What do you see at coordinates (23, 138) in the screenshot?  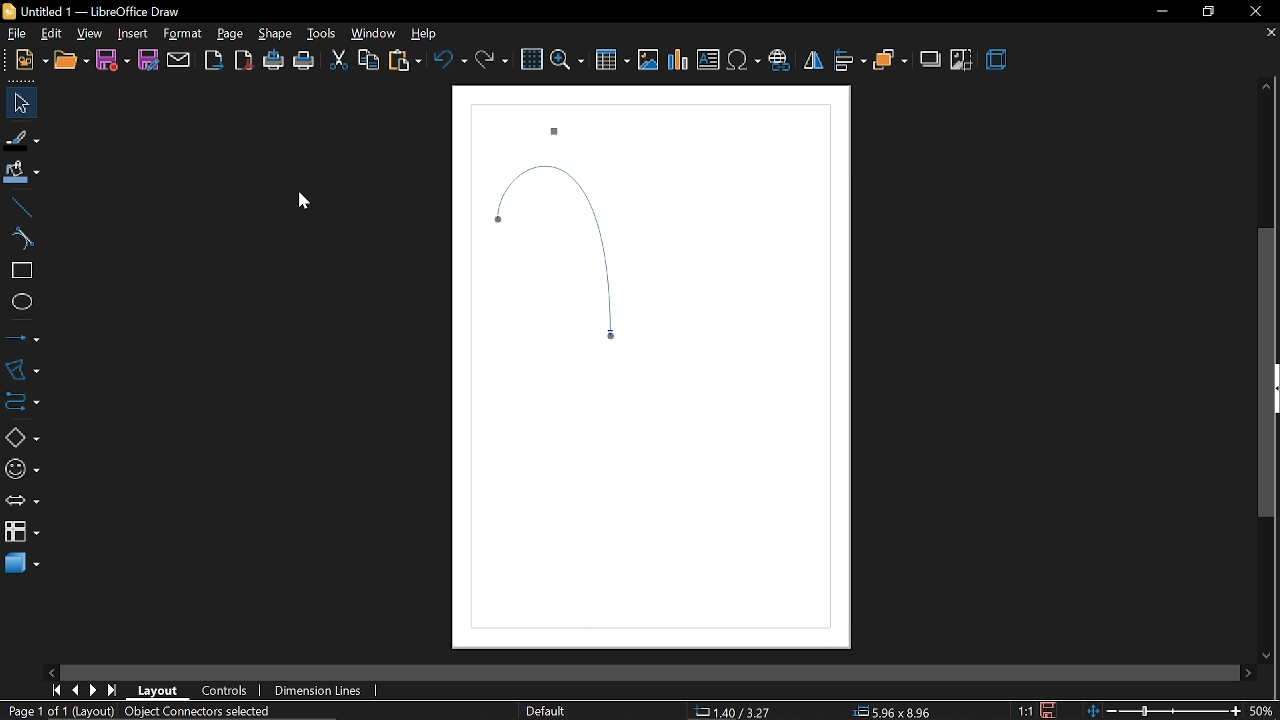 I see `fill line` at bounding box center [23, 138].